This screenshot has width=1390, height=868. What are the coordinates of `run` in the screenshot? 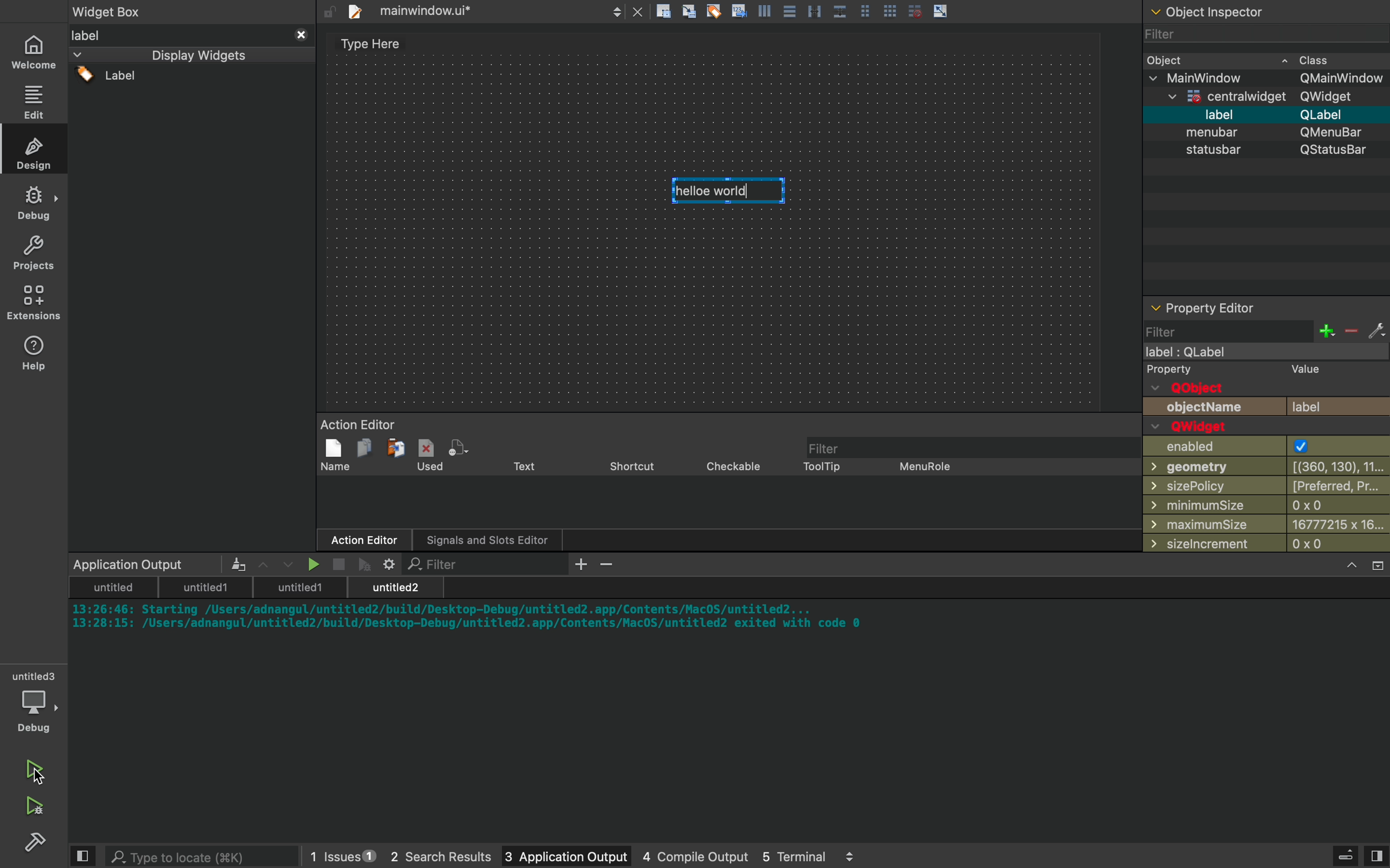 It's located at (34, 764).